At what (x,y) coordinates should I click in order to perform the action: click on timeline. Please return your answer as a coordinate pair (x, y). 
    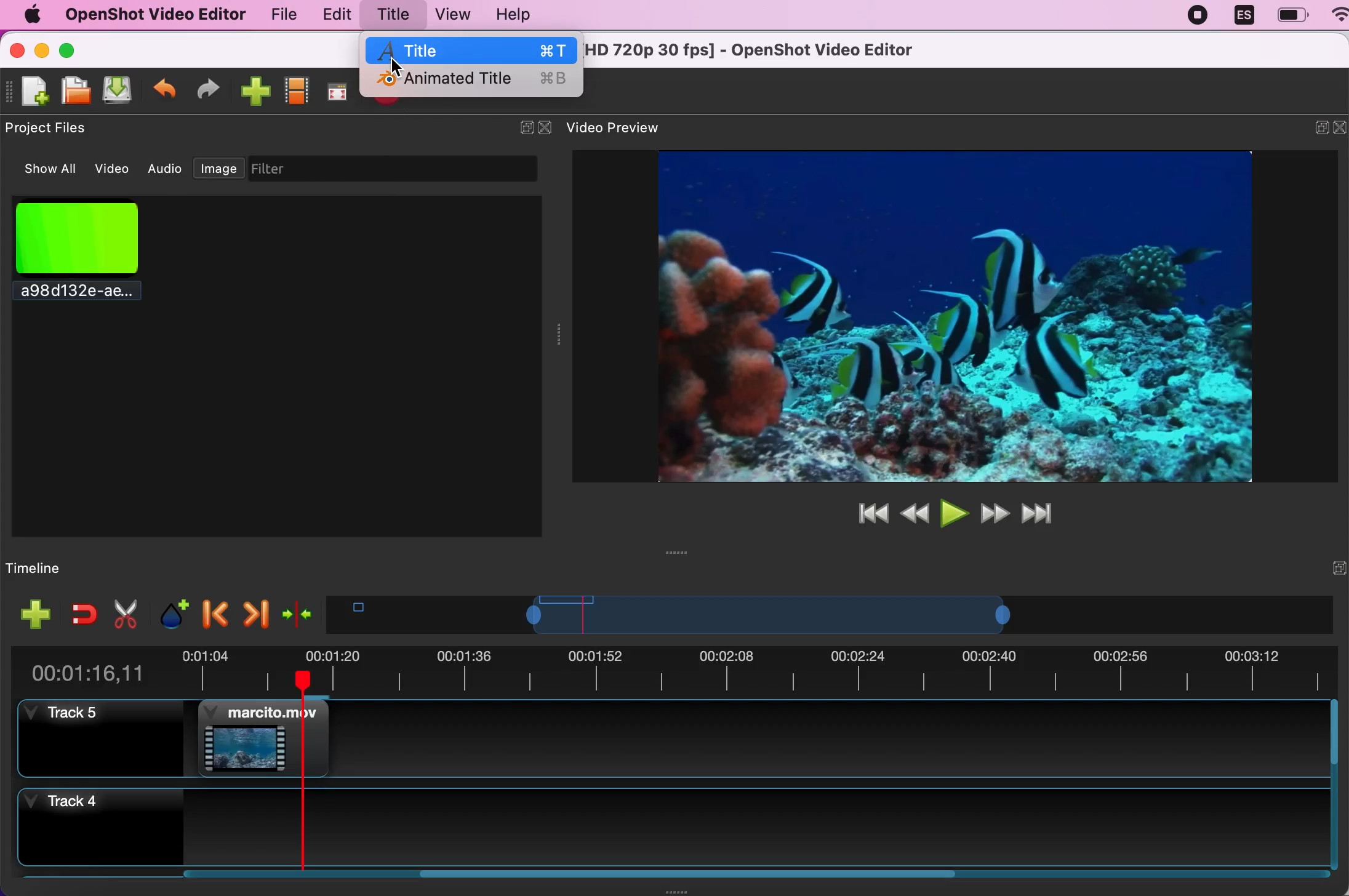
    Looking at the image, I should click on (815, 614).